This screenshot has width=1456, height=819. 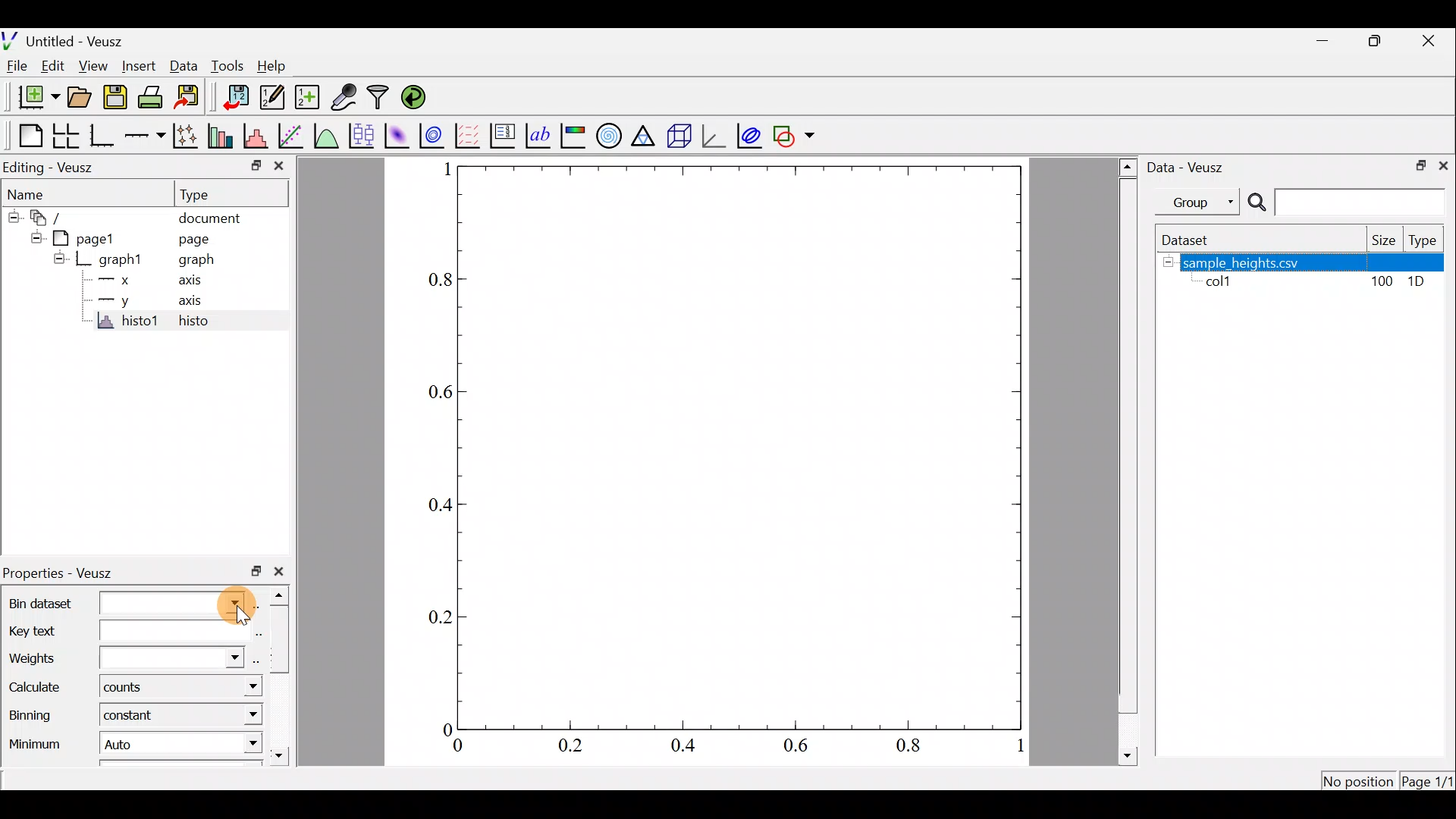 What do you see at coordinates (153, 99) in the screenshot?
I see `print the document` at bounding box center [153, 99].